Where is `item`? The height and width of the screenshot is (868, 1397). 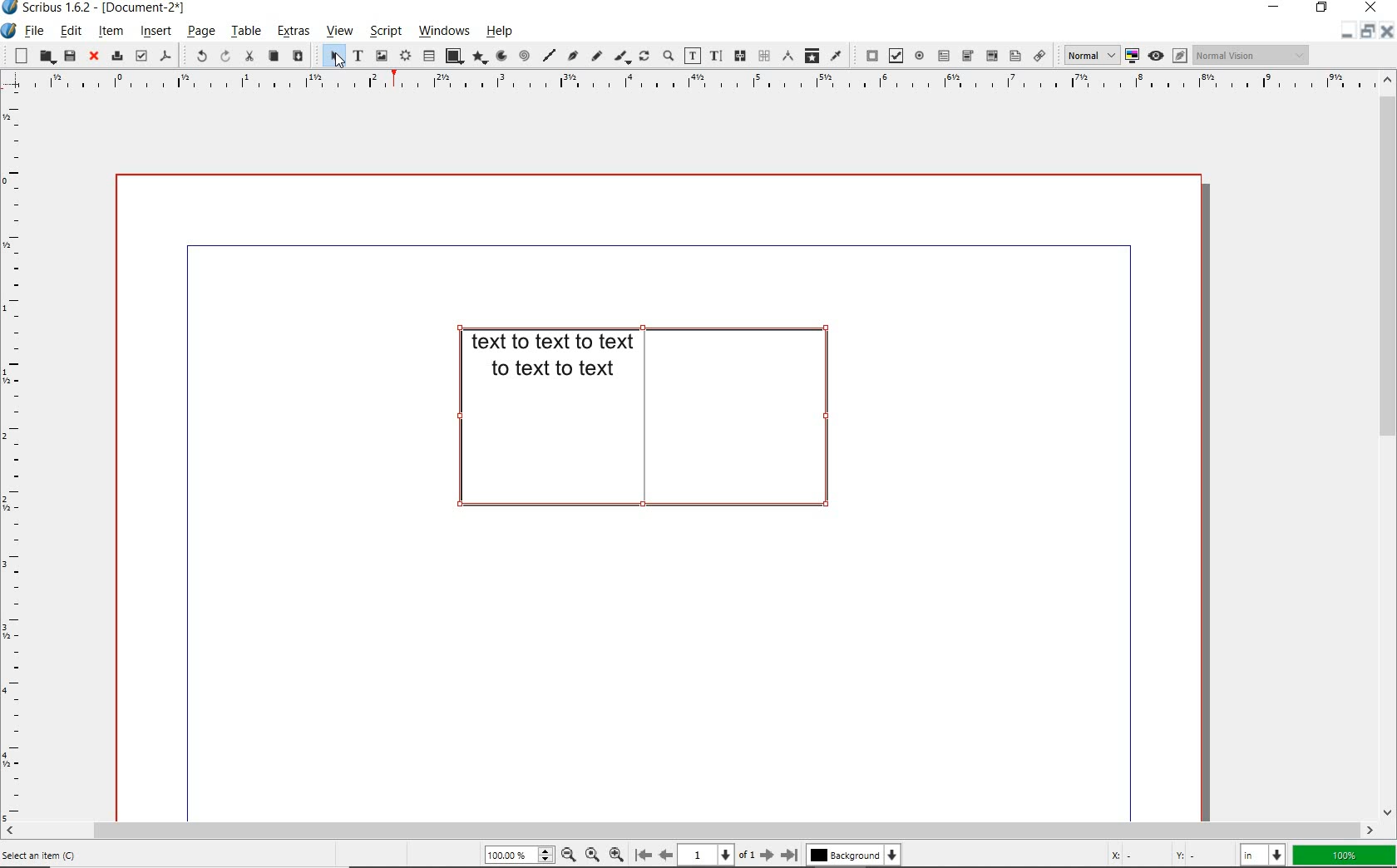
item is located at coordinates (113, 32).